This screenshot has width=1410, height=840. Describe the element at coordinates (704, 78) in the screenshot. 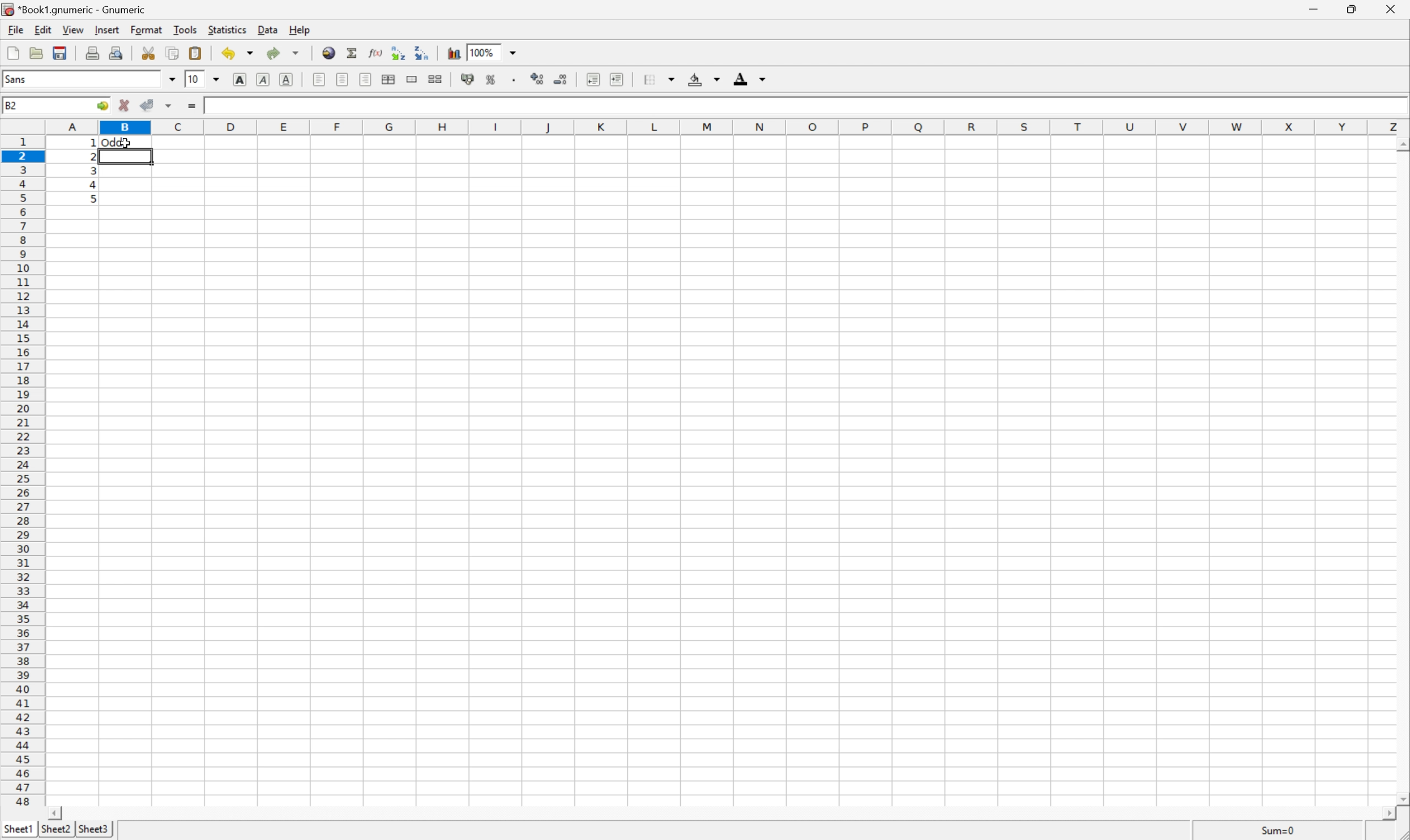

I see `Background` at that location.